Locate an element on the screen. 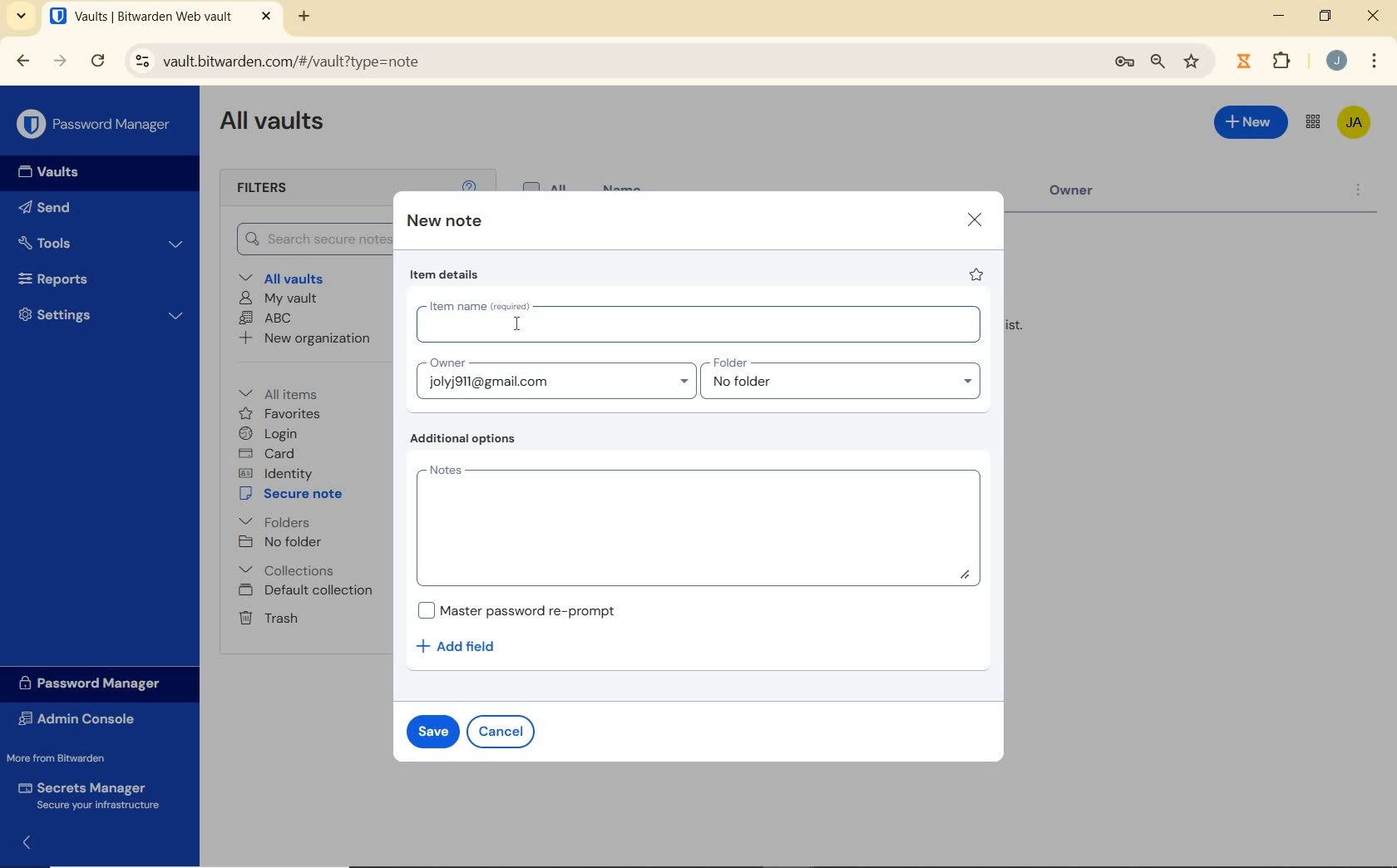 Image resolution: width=1397 pixels, height=868 pixels. minimize is located at coordinates (1279, 15).